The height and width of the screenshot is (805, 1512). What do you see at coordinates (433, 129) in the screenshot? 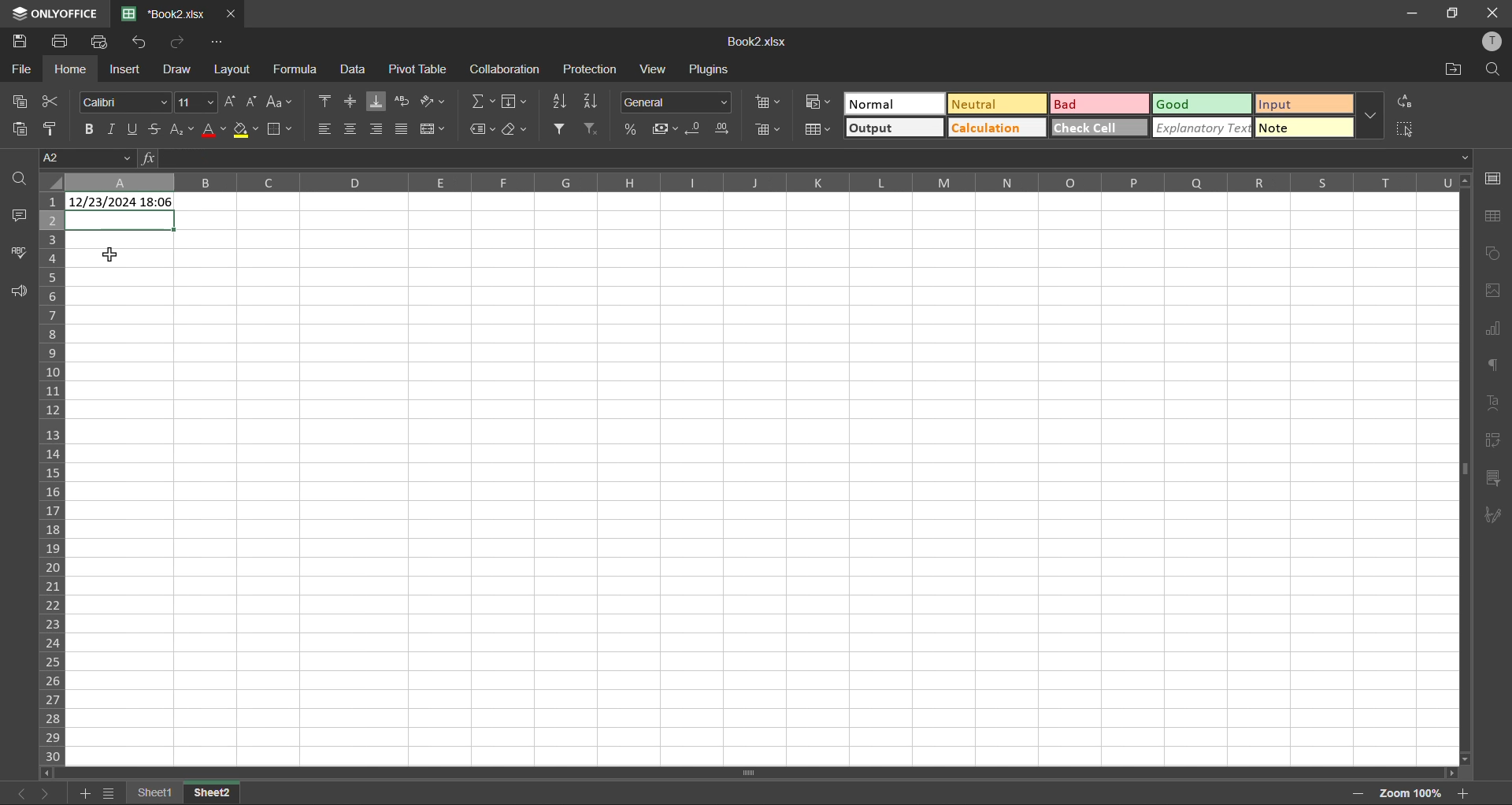
I see `merge and center` at bounding box center [433, 129].